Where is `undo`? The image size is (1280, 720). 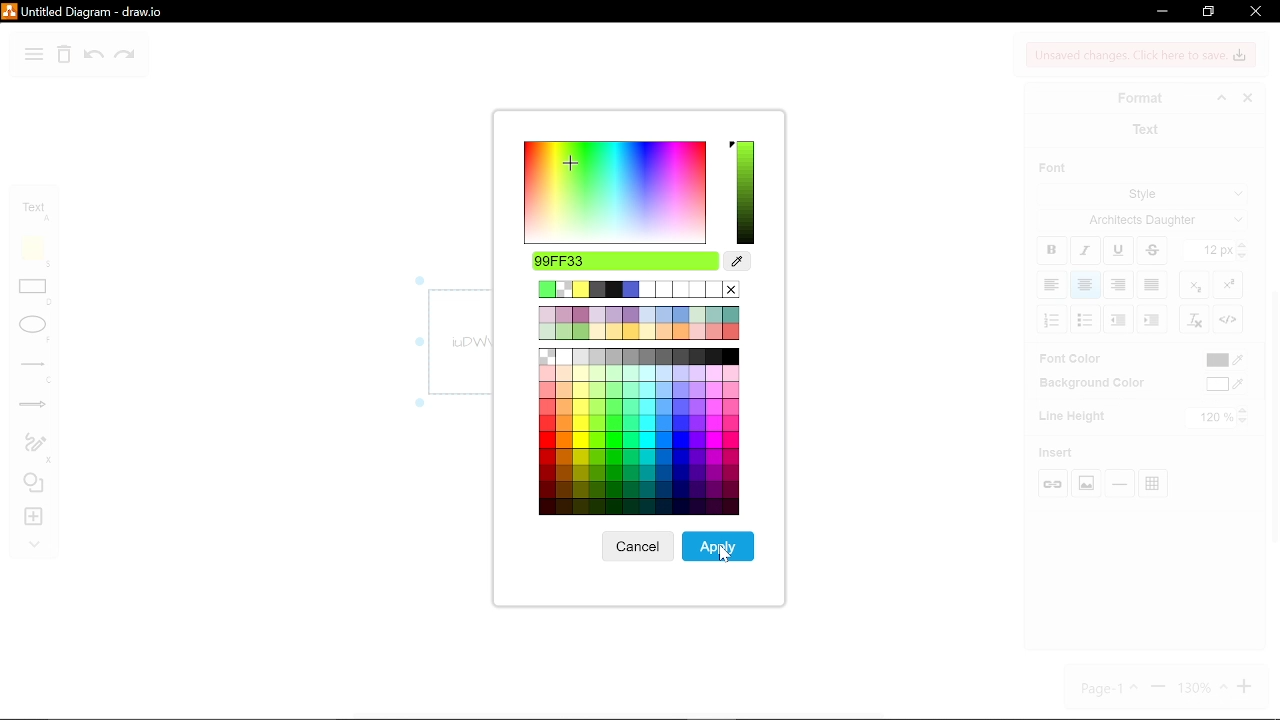
undo is located at coordinates (94, 56).